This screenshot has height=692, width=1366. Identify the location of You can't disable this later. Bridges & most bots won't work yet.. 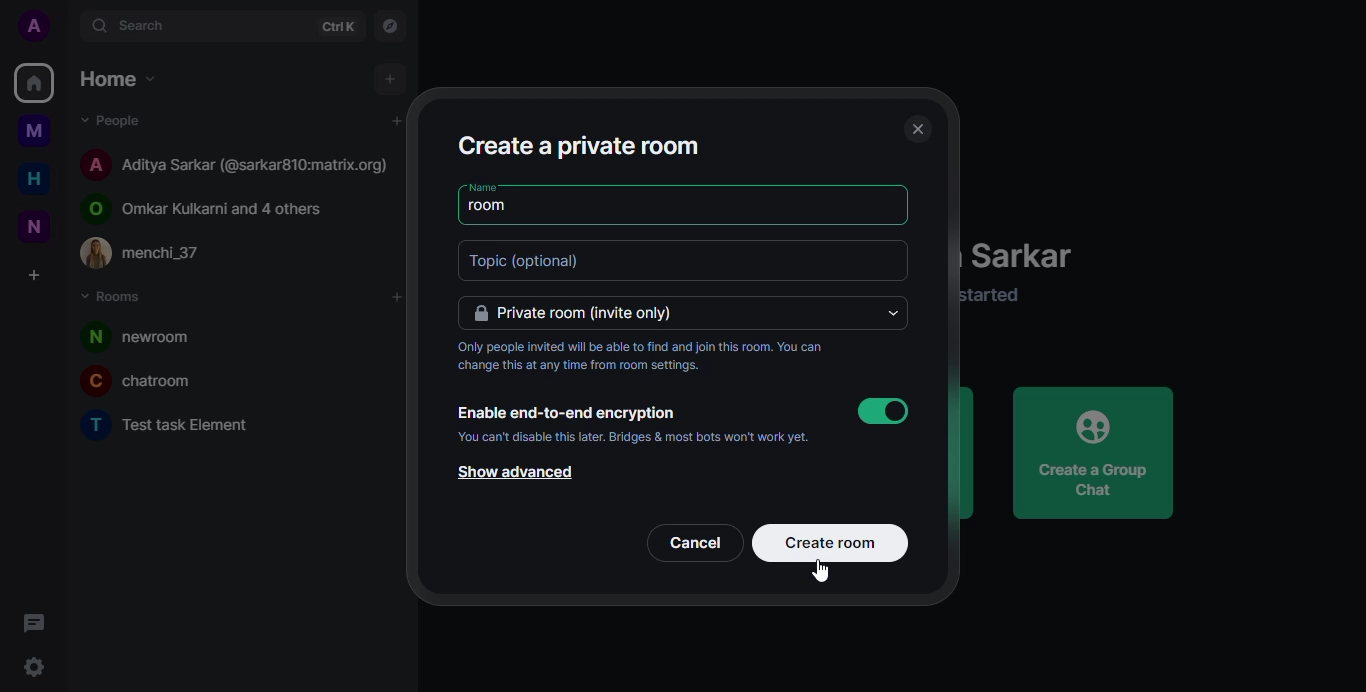
(634, 438).